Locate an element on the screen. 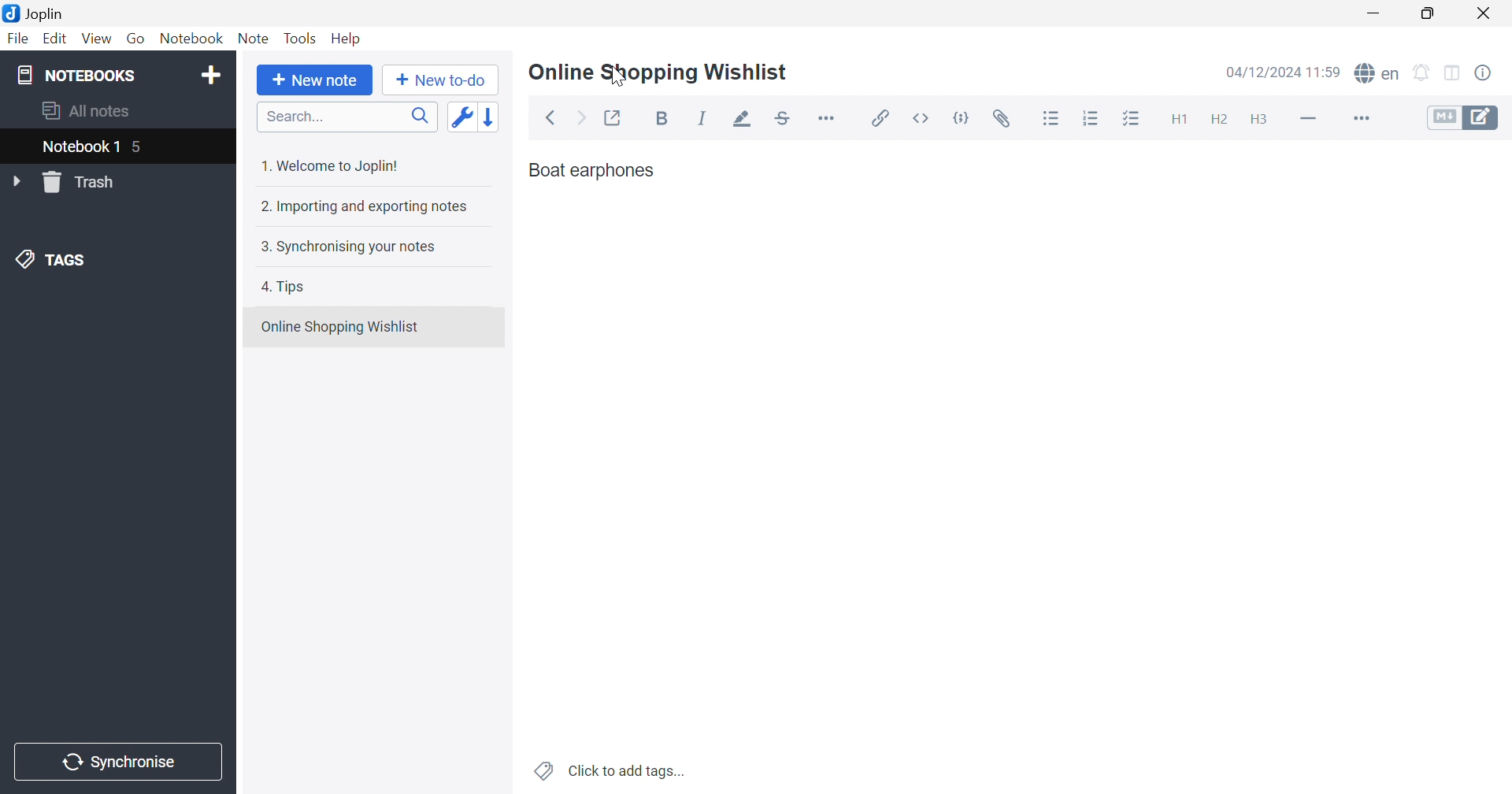 This screenshot has height=794, width=1512. Add notebook is located at coordinates (213, 76).